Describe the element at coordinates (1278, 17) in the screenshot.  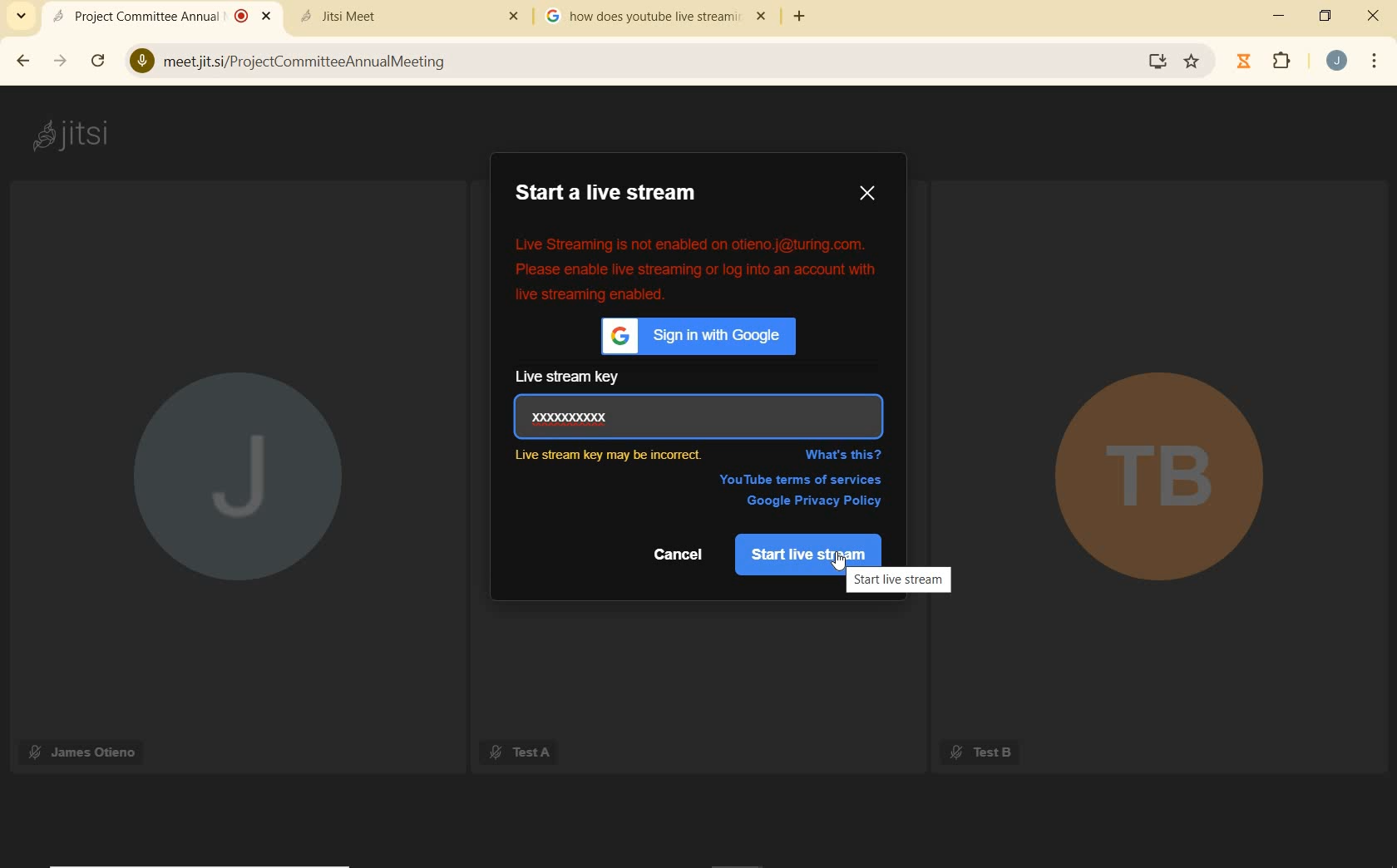
I see `minimize` at that location.